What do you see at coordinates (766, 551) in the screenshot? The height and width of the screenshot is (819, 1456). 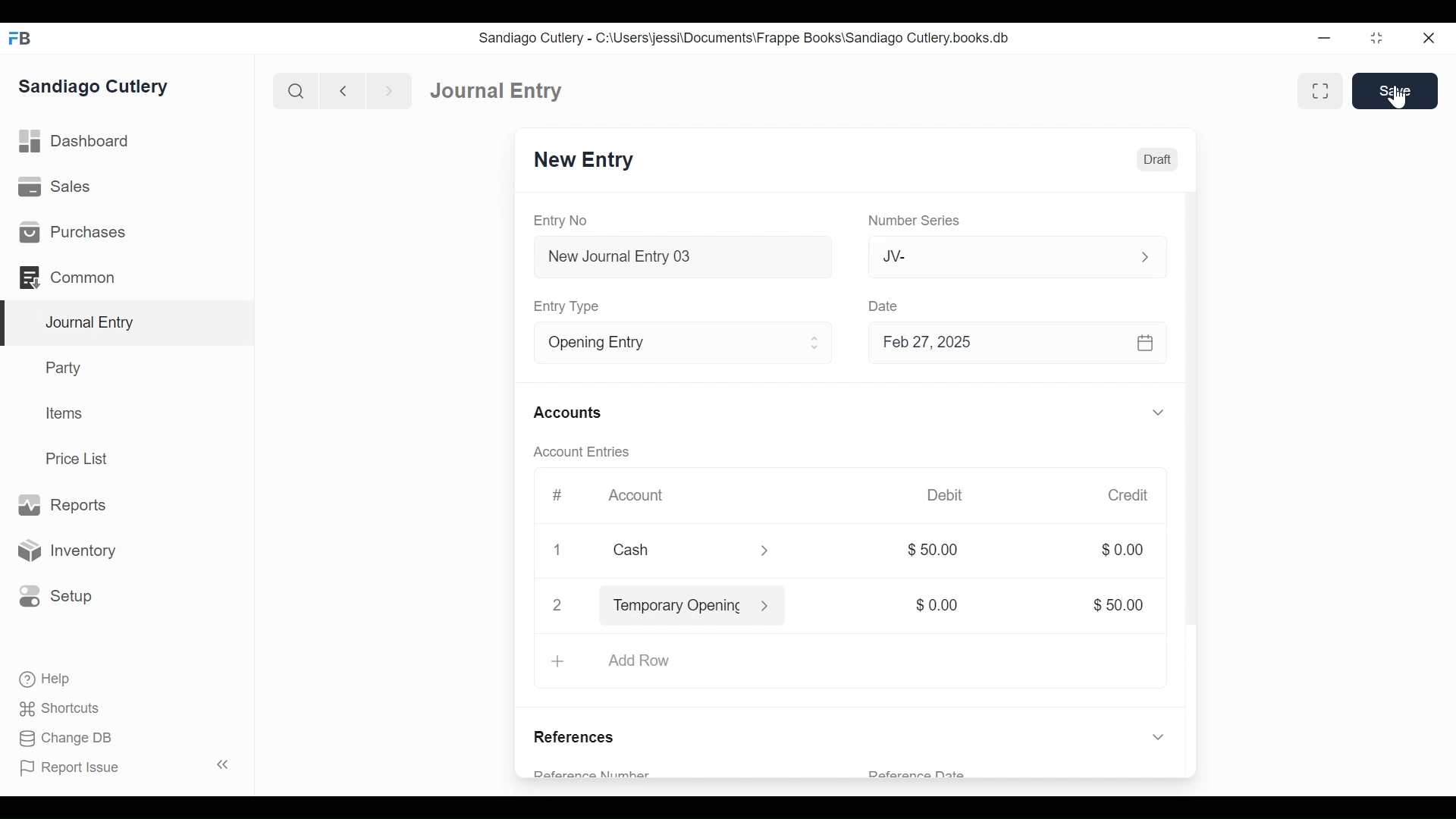 I see `Expand` at bounding box center [766, 551].